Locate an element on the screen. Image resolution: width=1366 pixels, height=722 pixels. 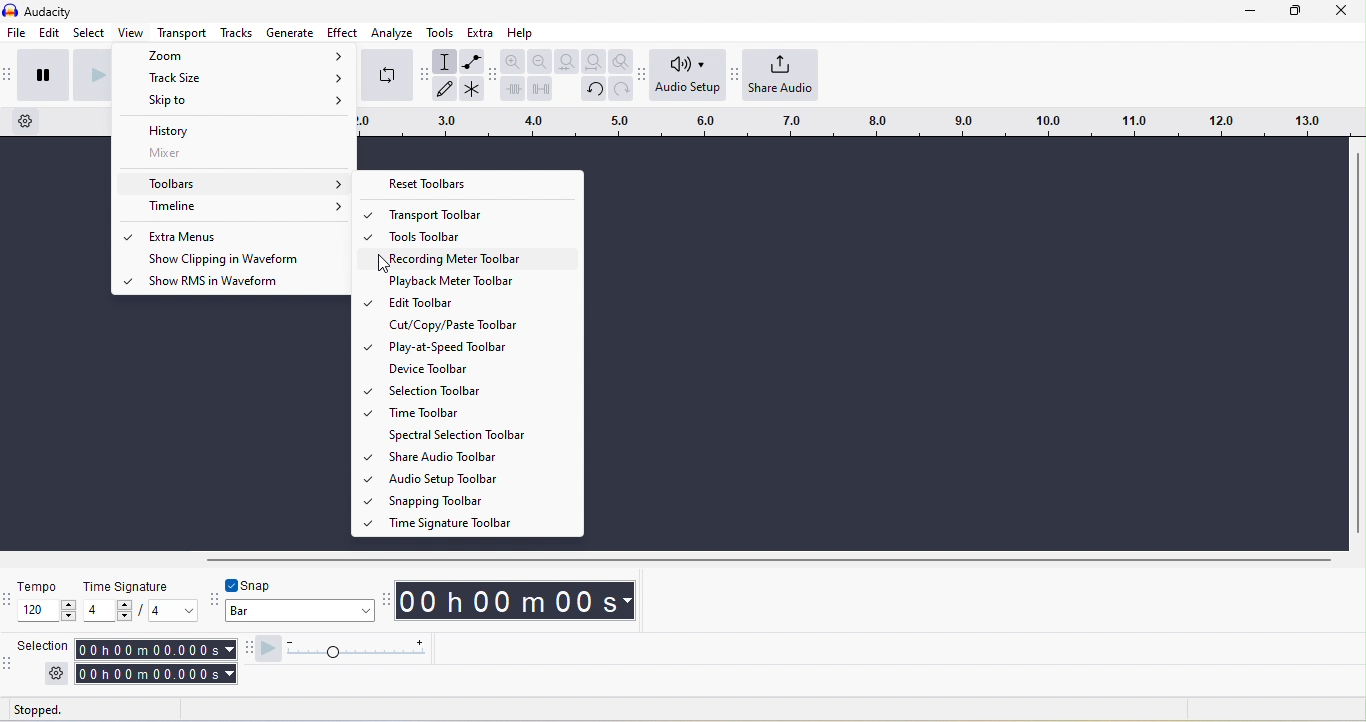
Reset toolbar is located at coordinates (468, 184).